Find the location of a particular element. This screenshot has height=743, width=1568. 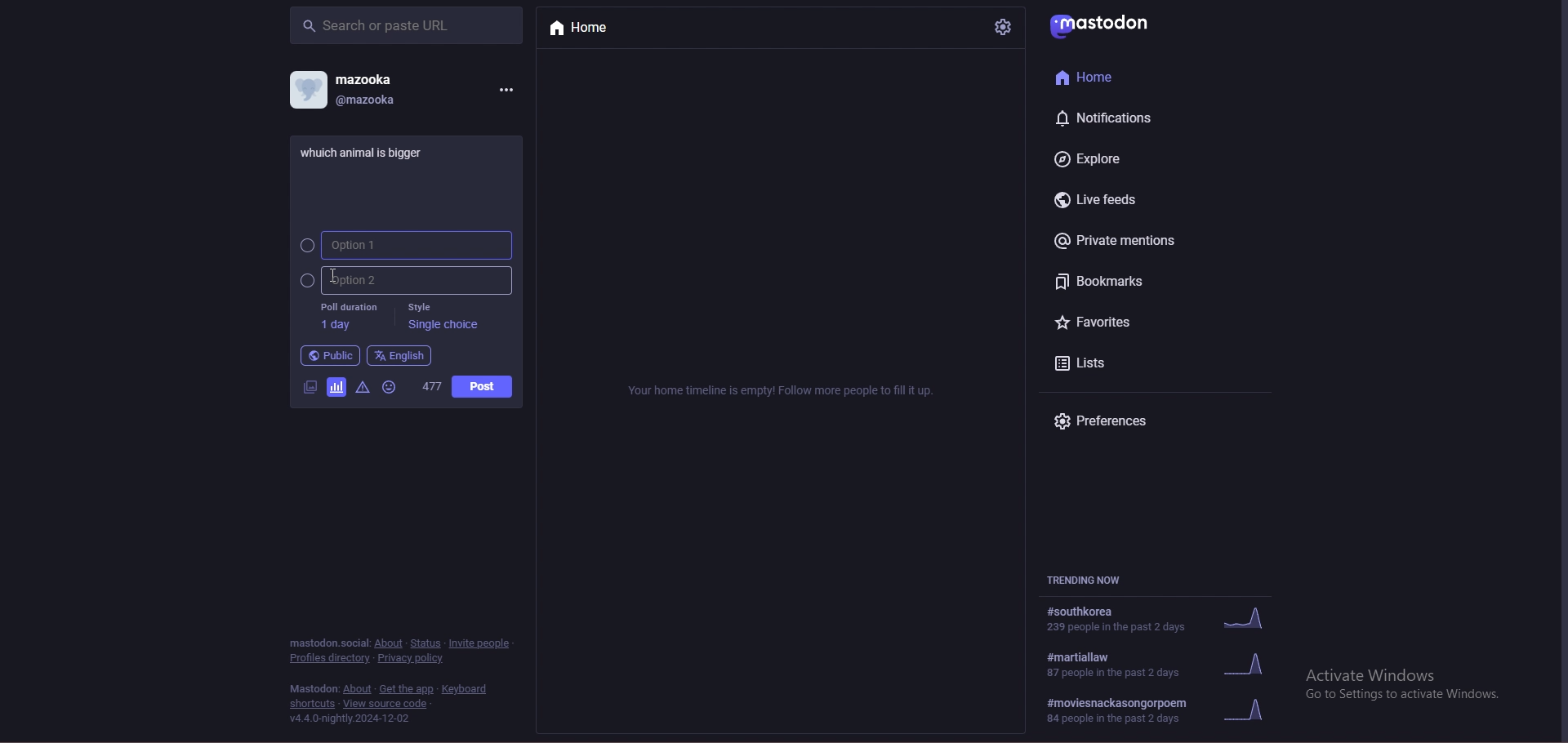

option 2 is located at coordinates (406, 280).